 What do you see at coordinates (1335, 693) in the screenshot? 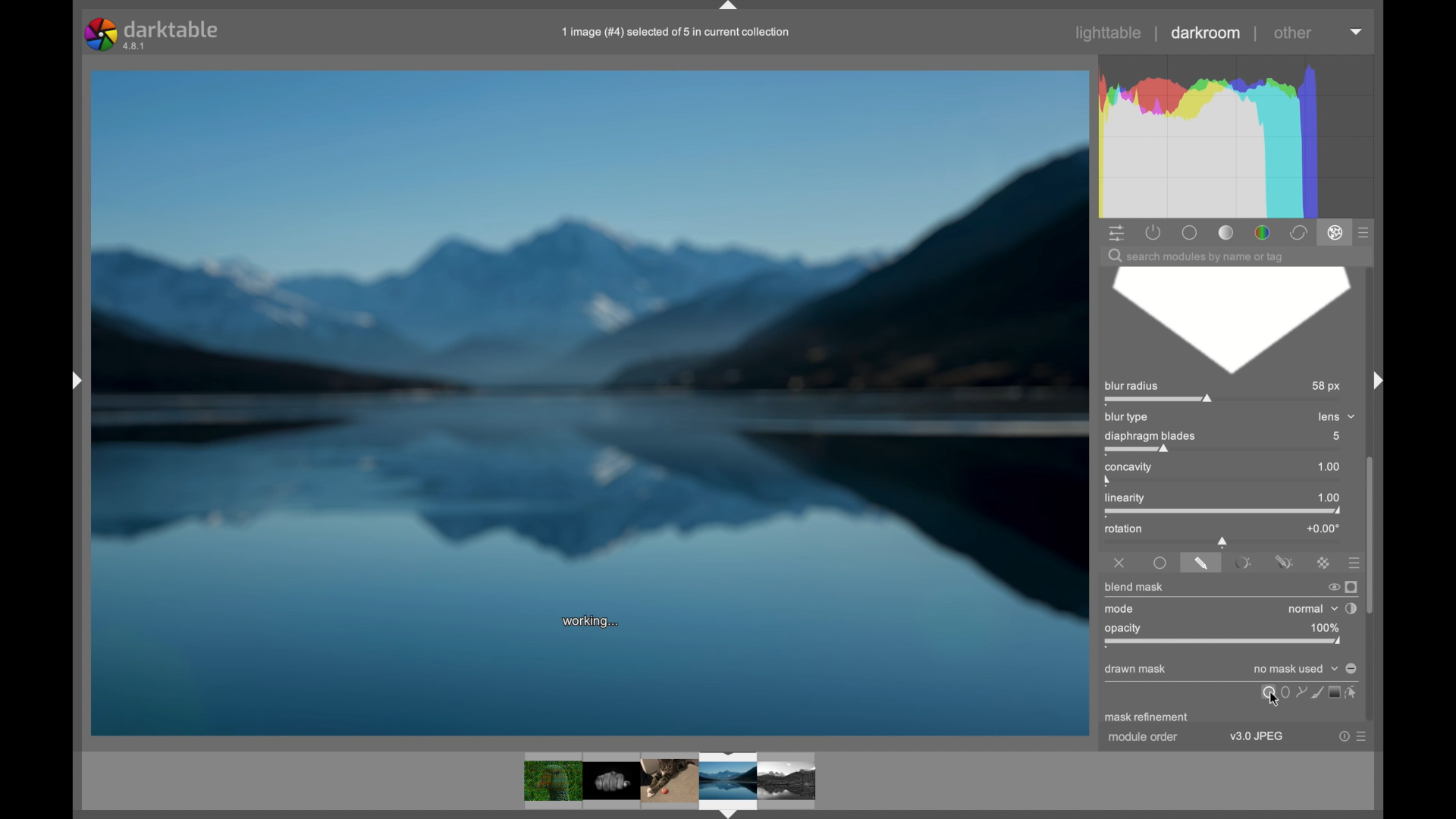
I see `screen` at bounding box center [1335, 693].